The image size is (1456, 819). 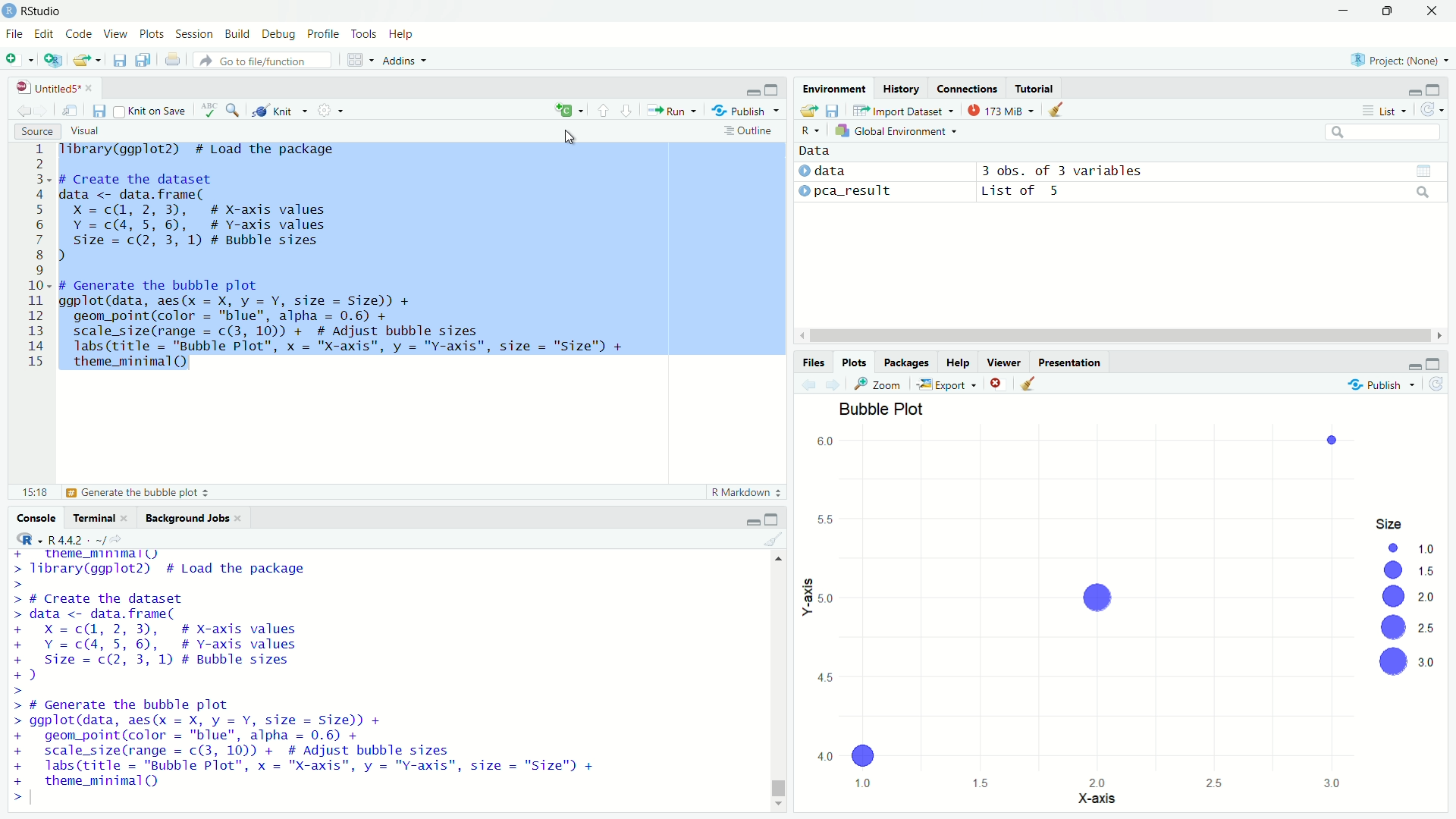 What do you see at coordinates (100, 111) in the screenshot?
I see `save` at bounding box center [100, 111].